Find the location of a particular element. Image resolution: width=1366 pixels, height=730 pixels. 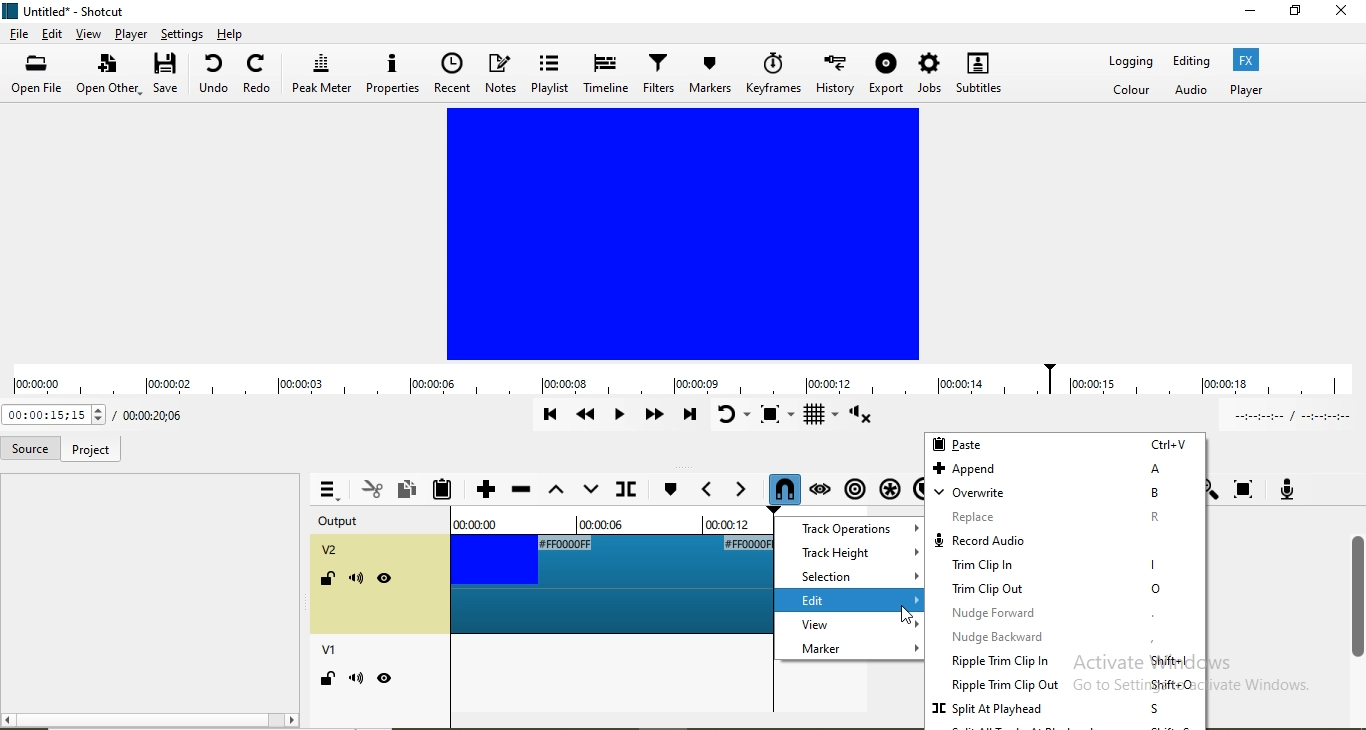

minimse is located at coordinates (1250, 14).